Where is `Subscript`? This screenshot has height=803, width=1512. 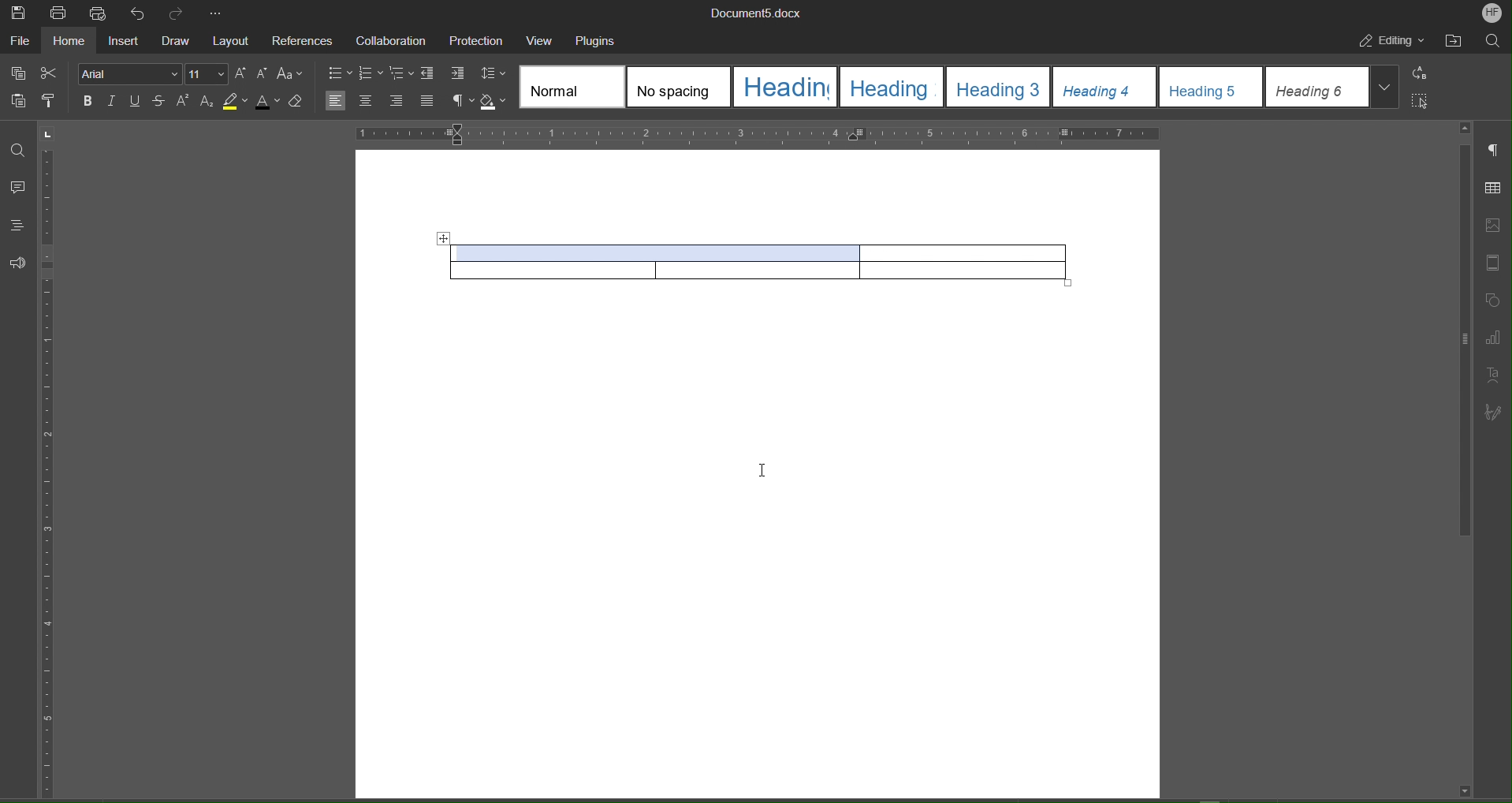
Subscript is located at coordinates (208, 102).